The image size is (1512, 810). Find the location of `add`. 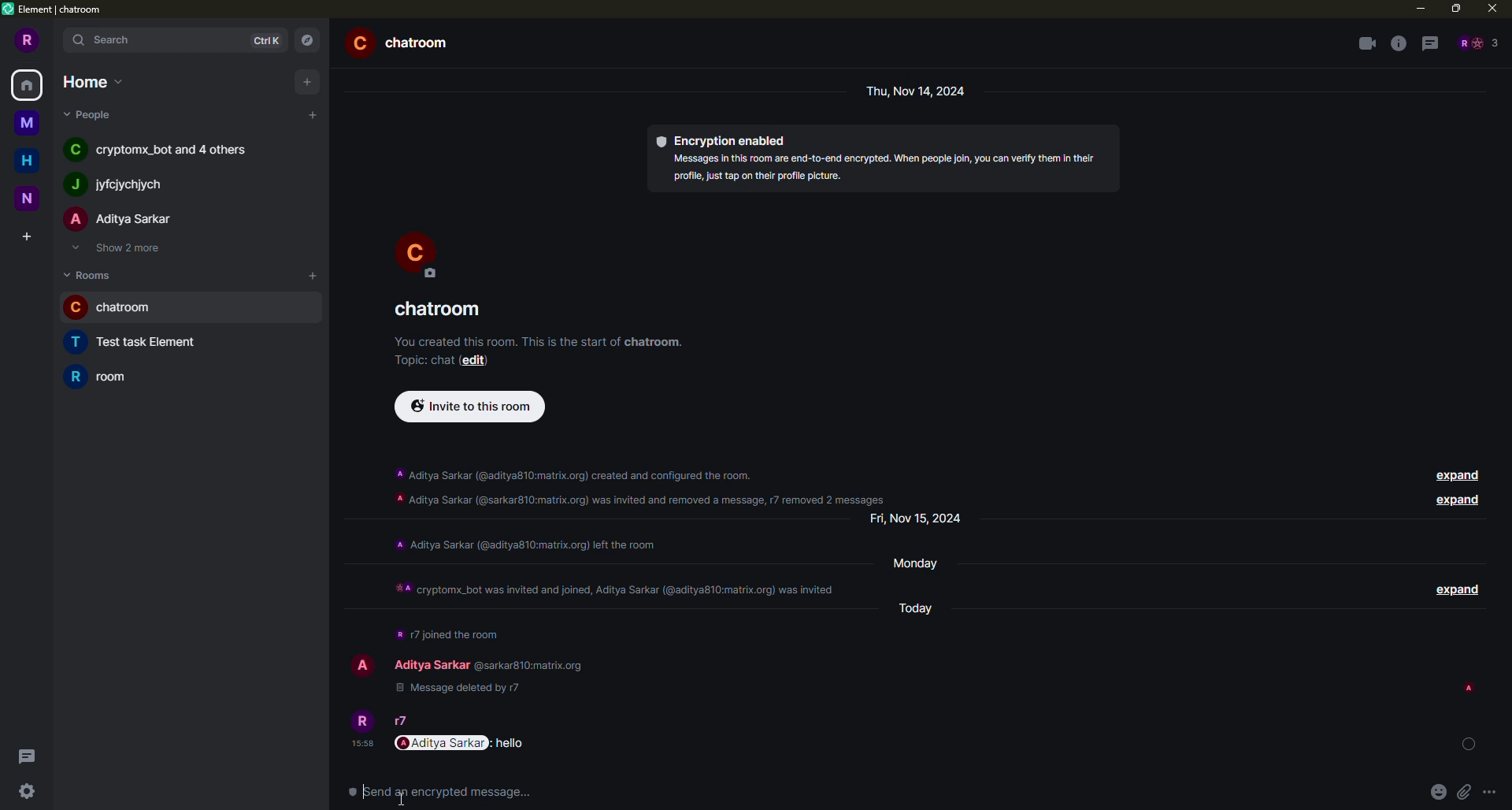

add is located at coordinates (314, 114).